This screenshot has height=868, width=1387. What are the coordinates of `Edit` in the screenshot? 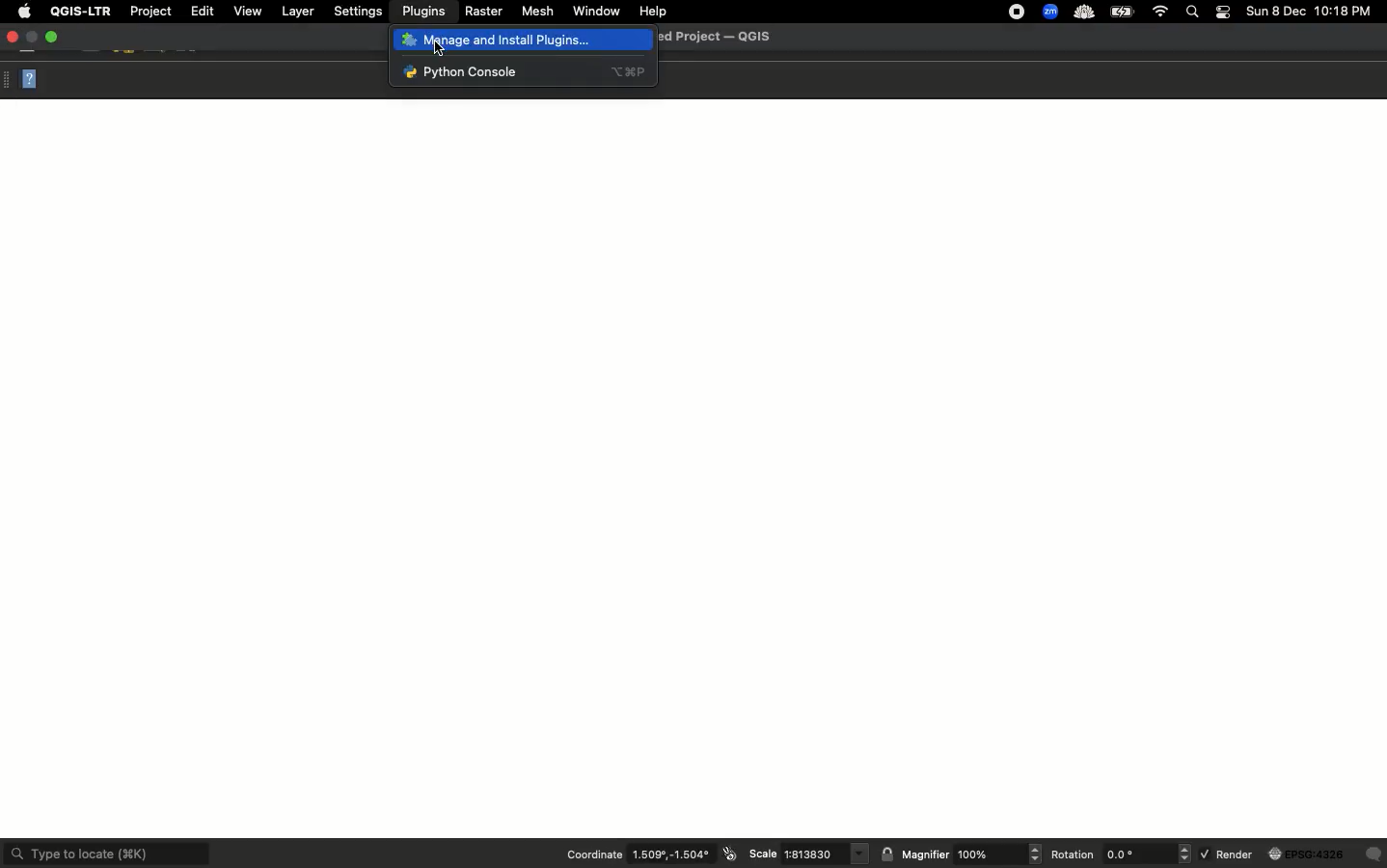 It's located at (202, 11).